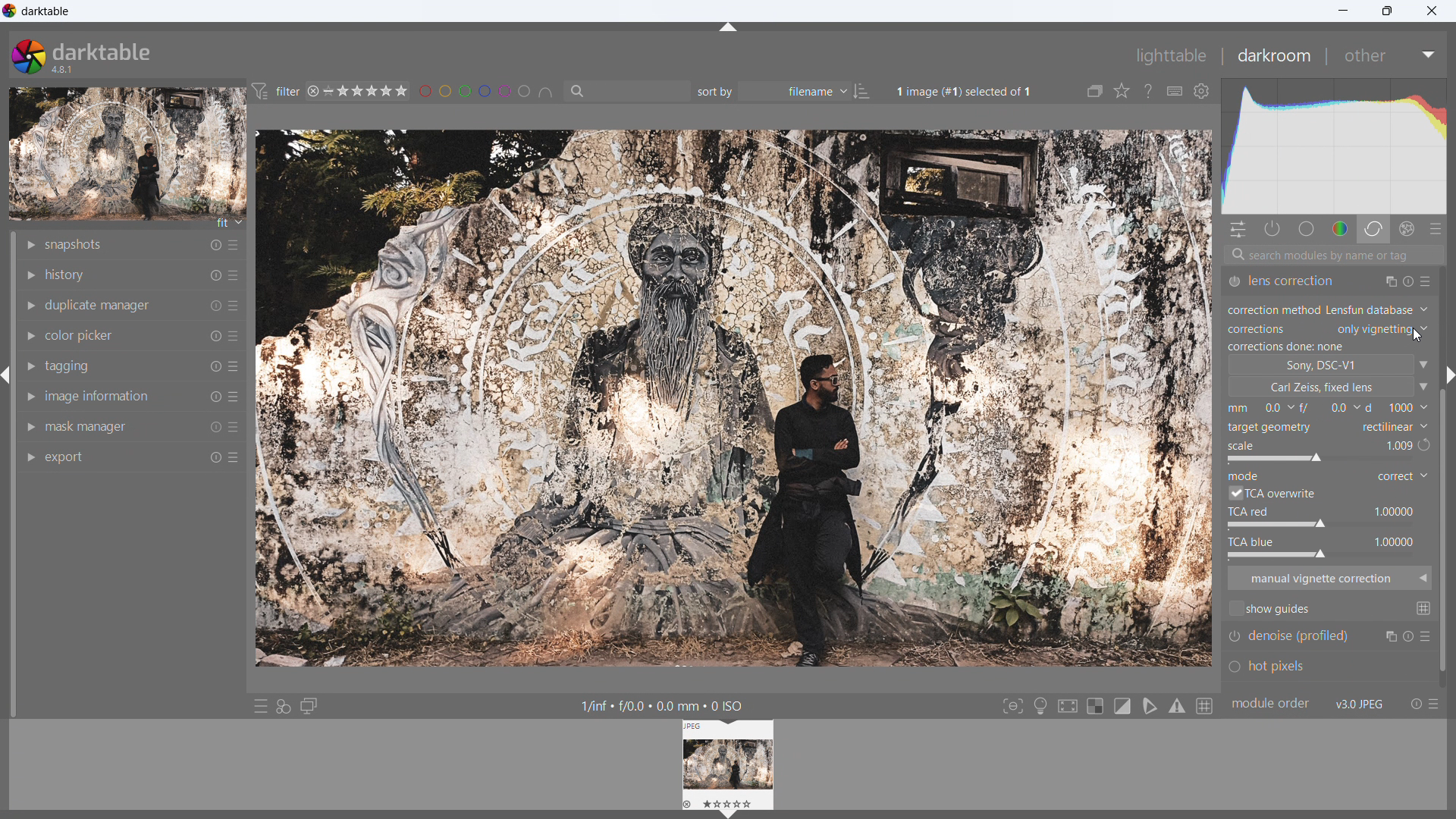 The image size is (1456, 819). I want to click on correction status, so click(1285, 346).